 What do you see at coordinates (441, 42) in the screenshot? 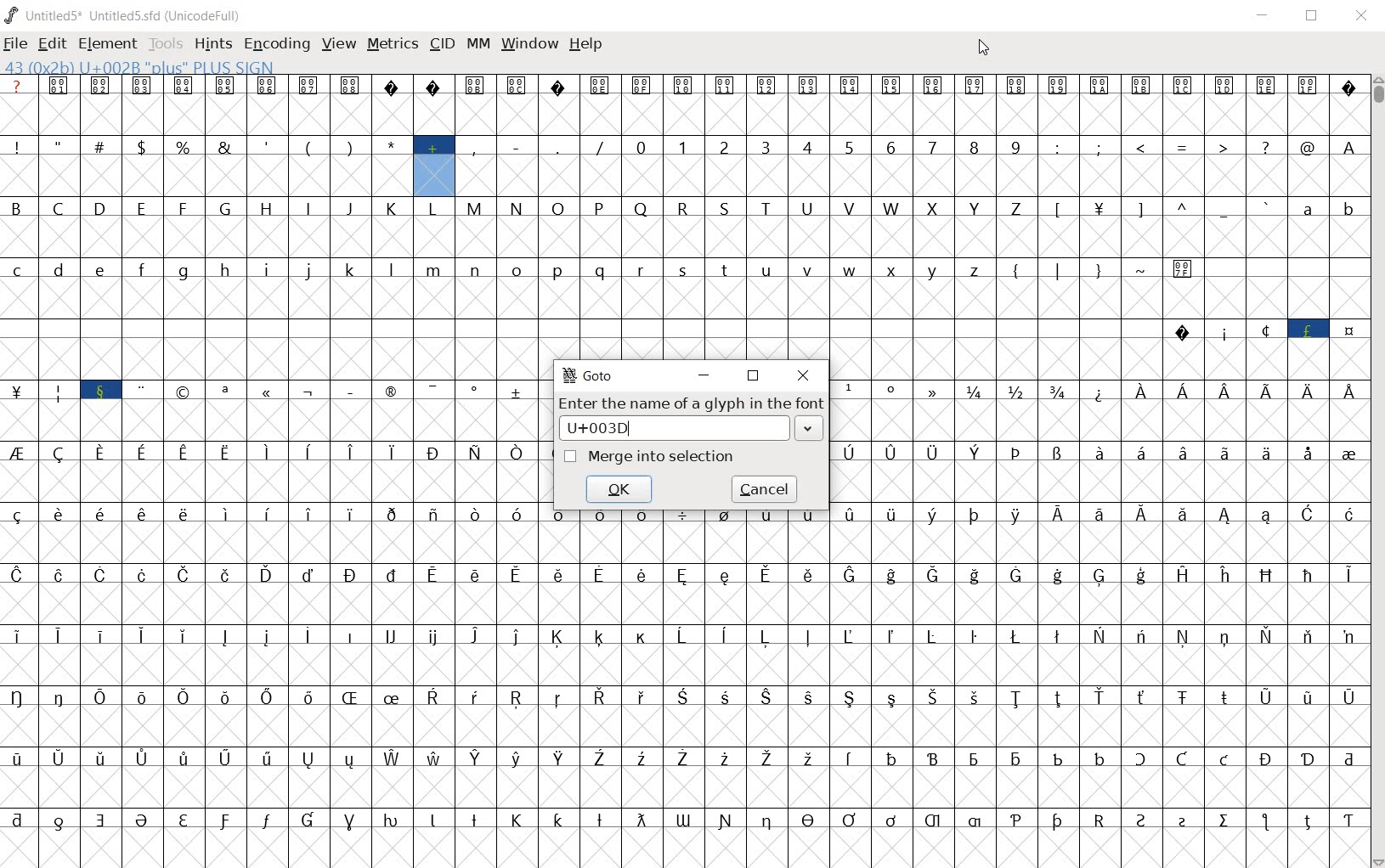
I see `cid` at bounding box center [441, 42].